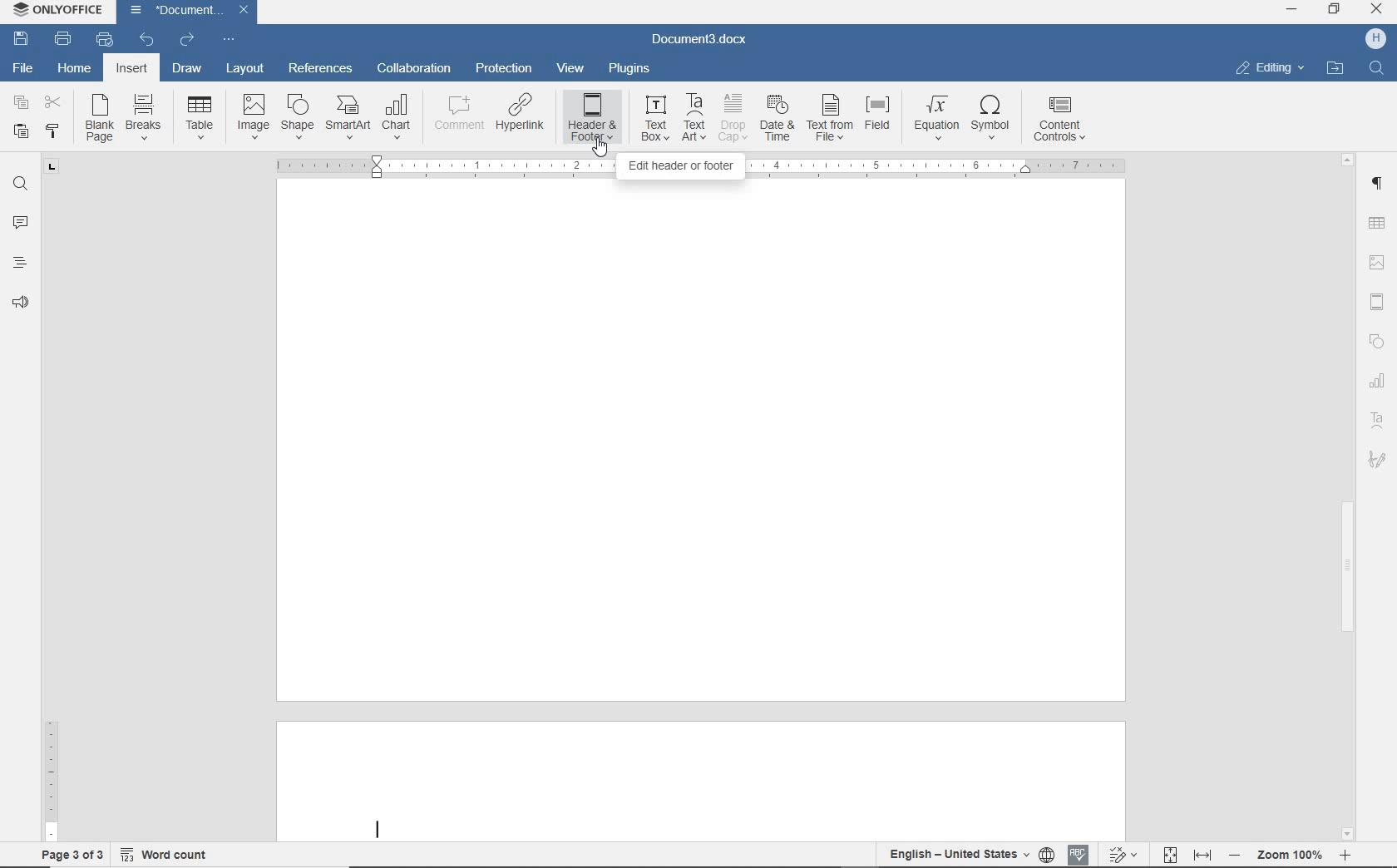  What do you see at coordinates (1375, 40) in the screenshot?
I see `H` at bounding box center [1375, 40].